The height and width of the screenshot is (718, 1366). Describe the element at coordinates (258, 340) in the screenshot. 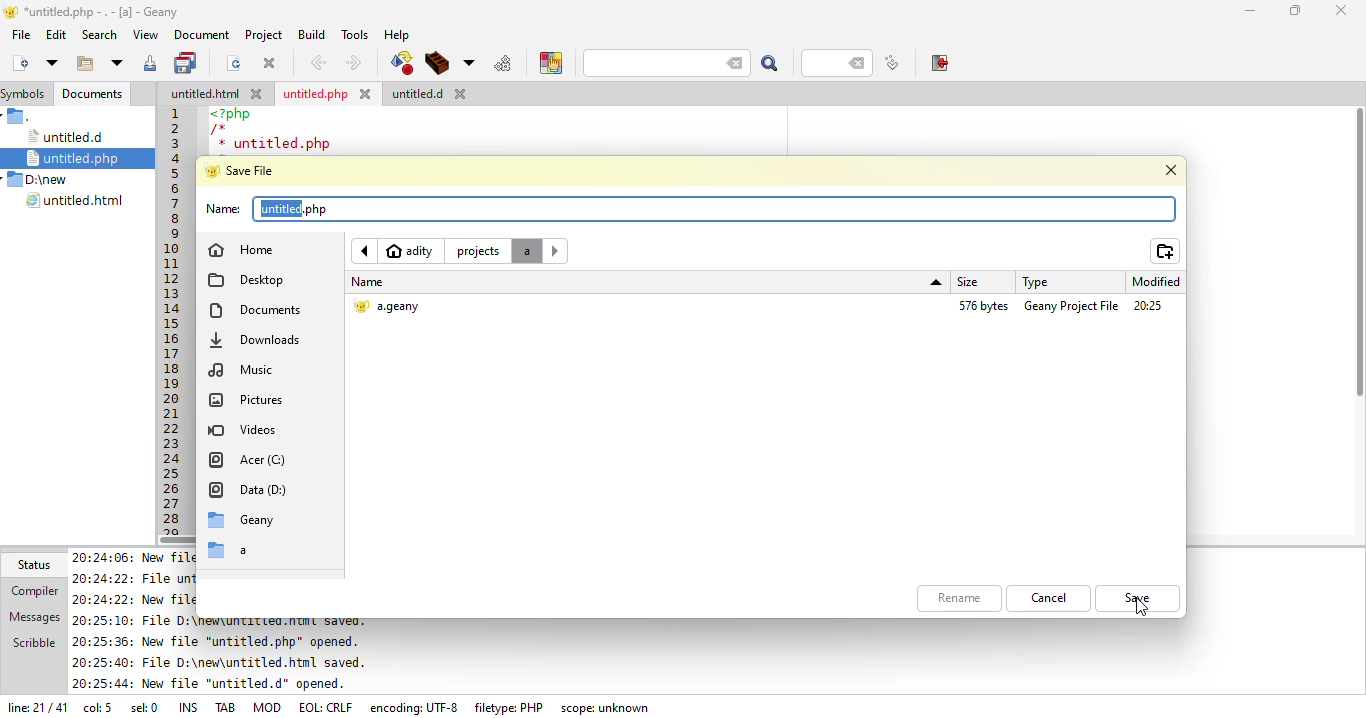

I see `downloads` at that location.